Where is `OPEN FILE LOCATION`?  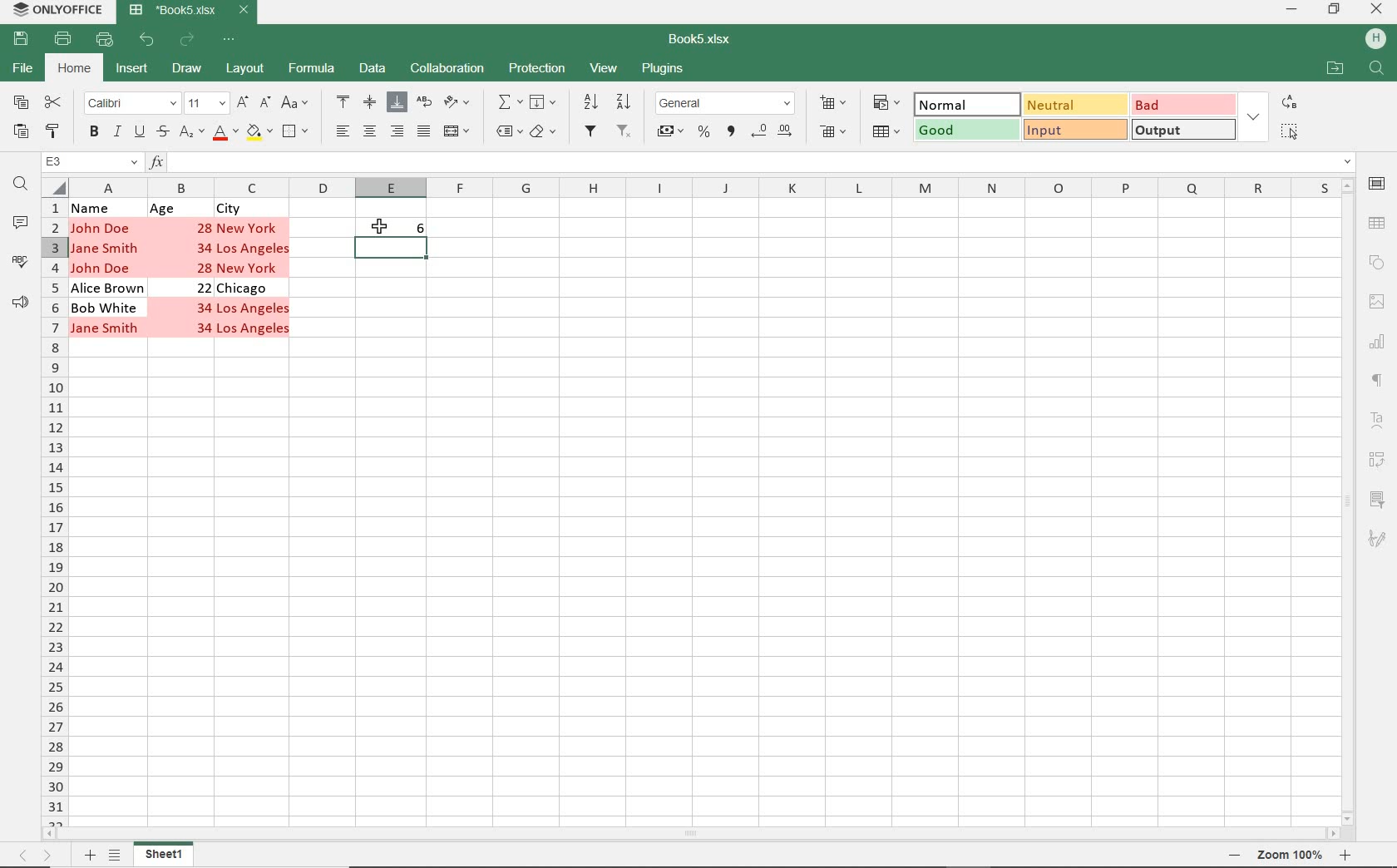 OPEN FILE LOCATION is located at coordinates (1336, 69).